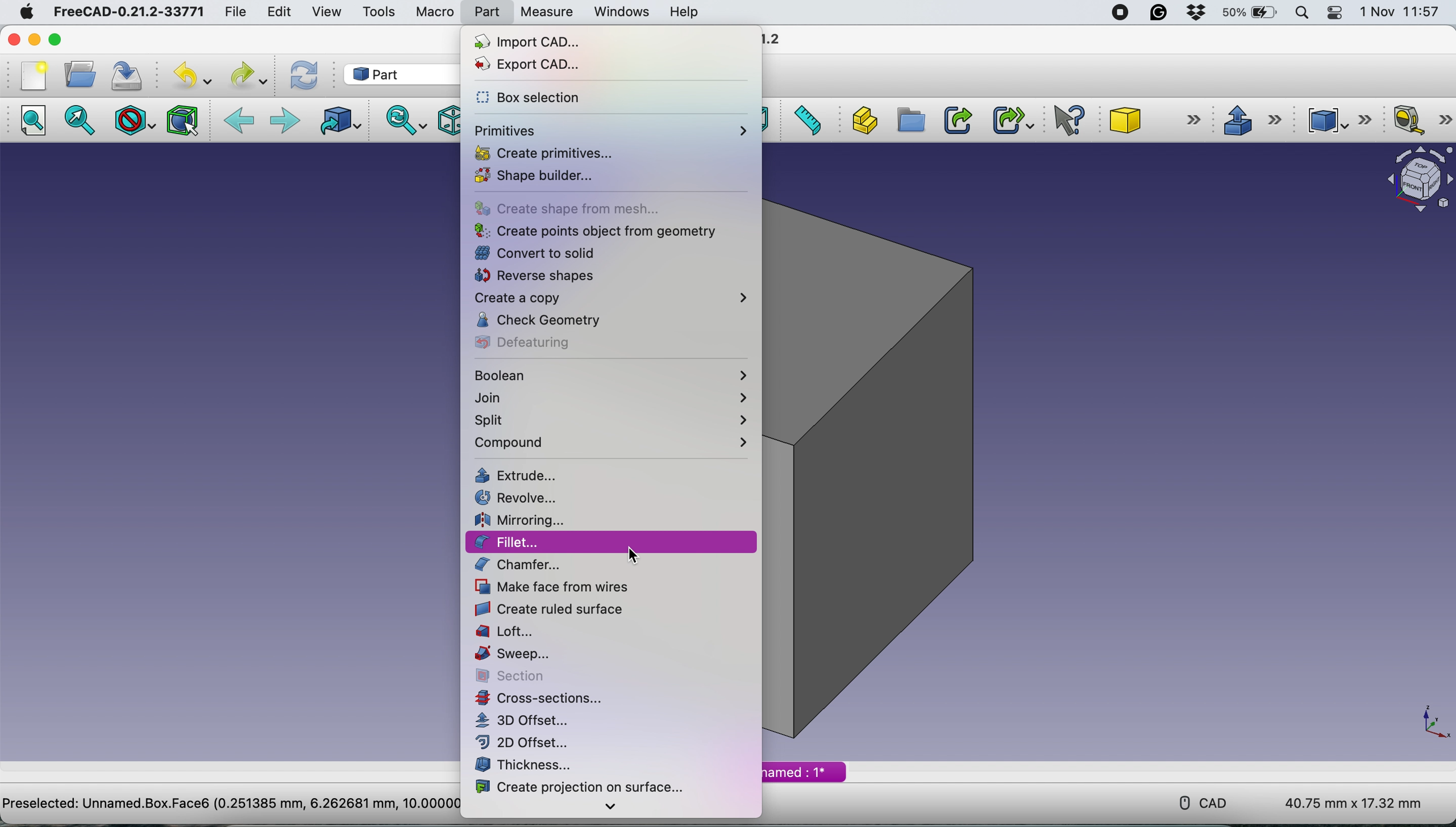 The height and width of the screenshot is (827, 1456). What do you see at coordinates (610, 542) in the screenshot?
I see `fillet` at bounding box center [610, 542].